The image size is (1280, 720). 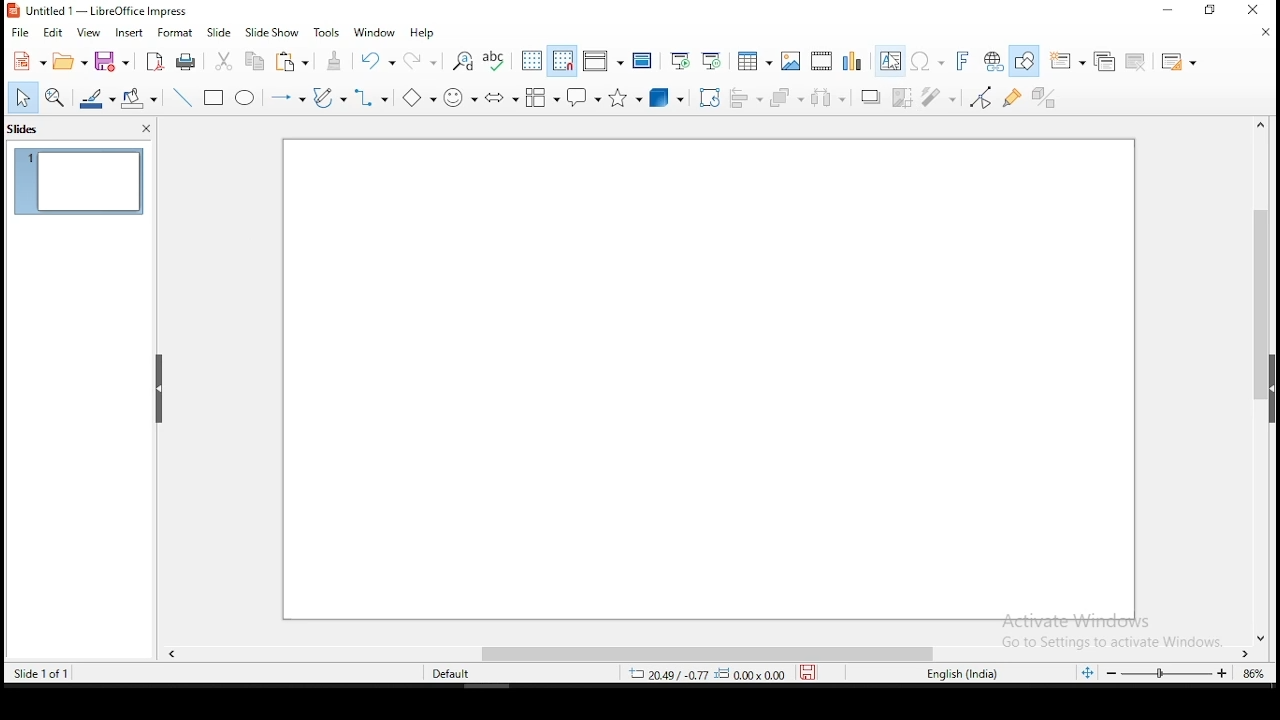 What do you see at coordinates (1210, 11) in the screenshot?
I see `restore` at bounding box center [1210, 11].